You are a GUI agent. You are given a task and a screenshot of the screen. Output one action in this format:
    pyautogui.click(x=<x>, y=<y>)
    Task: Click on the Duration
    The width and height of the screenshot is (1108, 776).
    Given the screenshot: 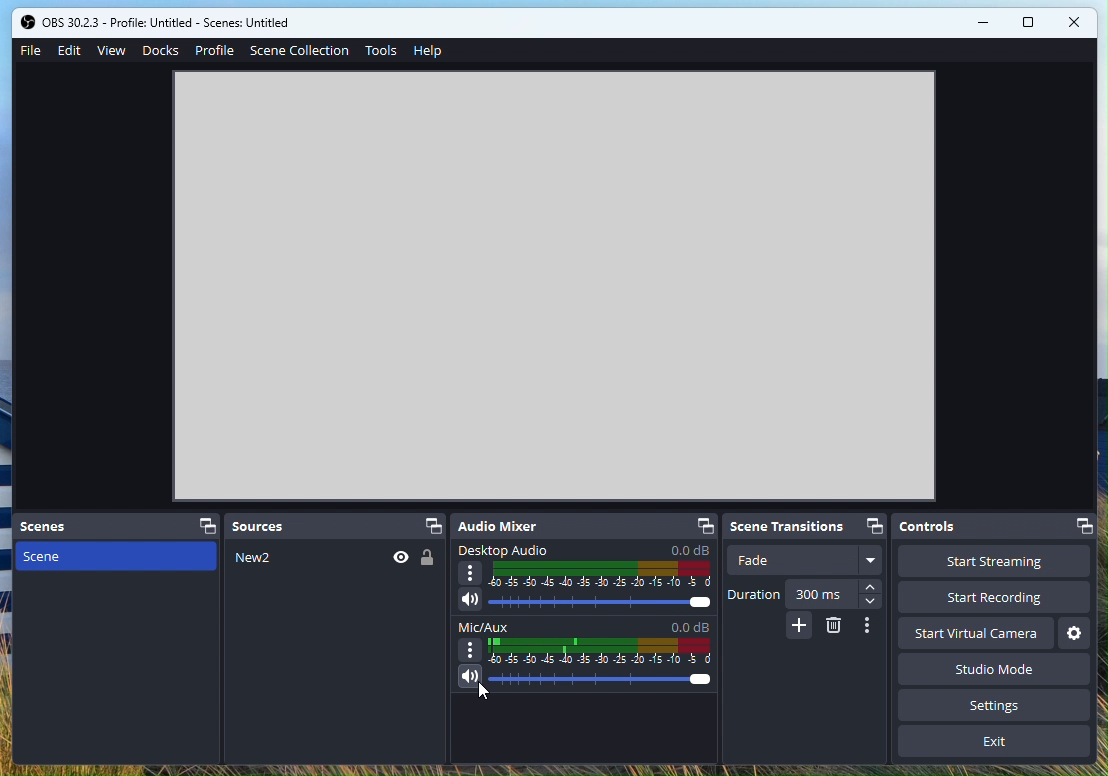 What is the action you would take?
    pyautogui.click(x=807, y=595)
    